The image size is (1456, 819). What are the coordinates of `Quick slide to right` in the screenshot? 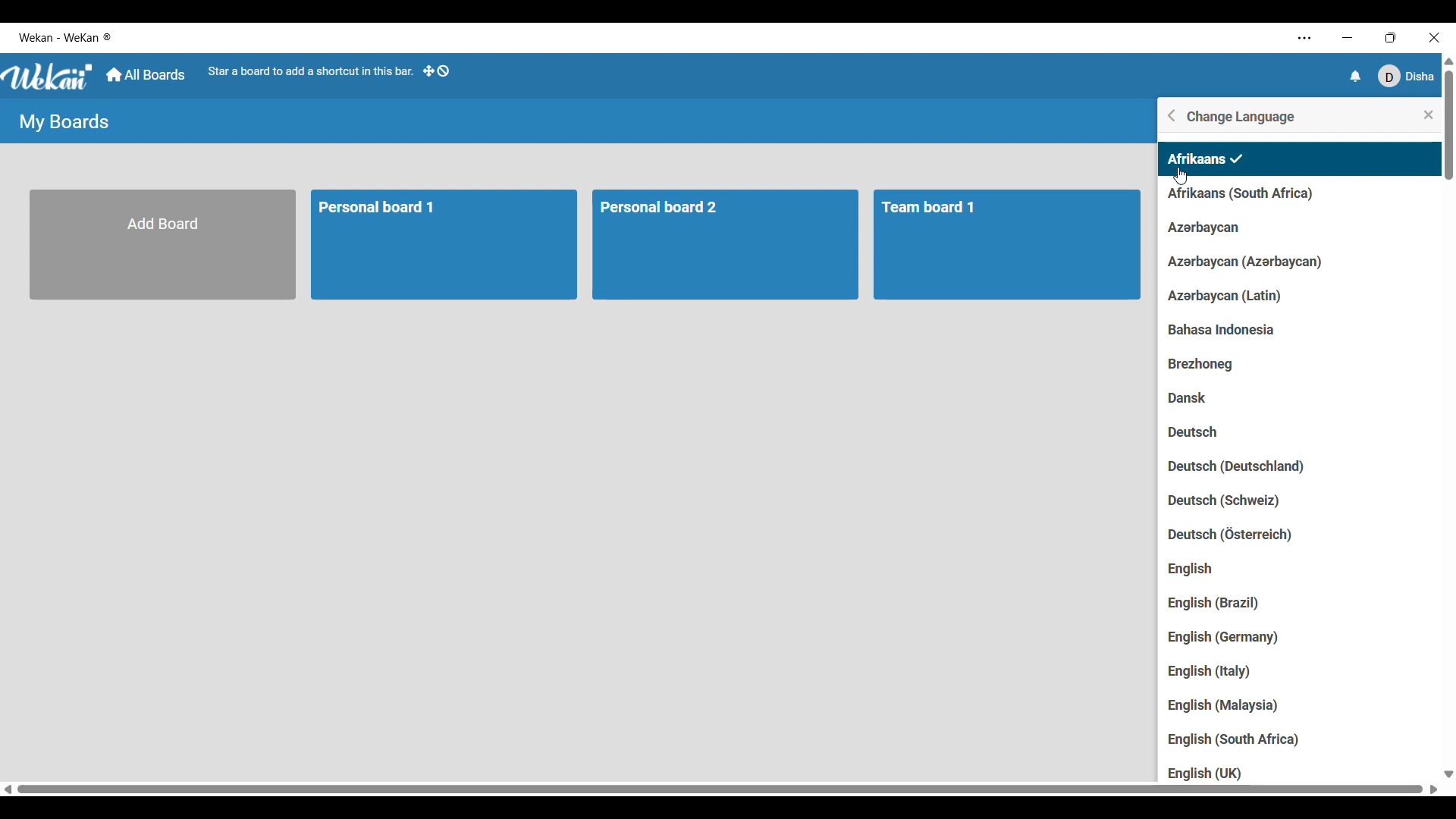 It's located at (1434, 789).